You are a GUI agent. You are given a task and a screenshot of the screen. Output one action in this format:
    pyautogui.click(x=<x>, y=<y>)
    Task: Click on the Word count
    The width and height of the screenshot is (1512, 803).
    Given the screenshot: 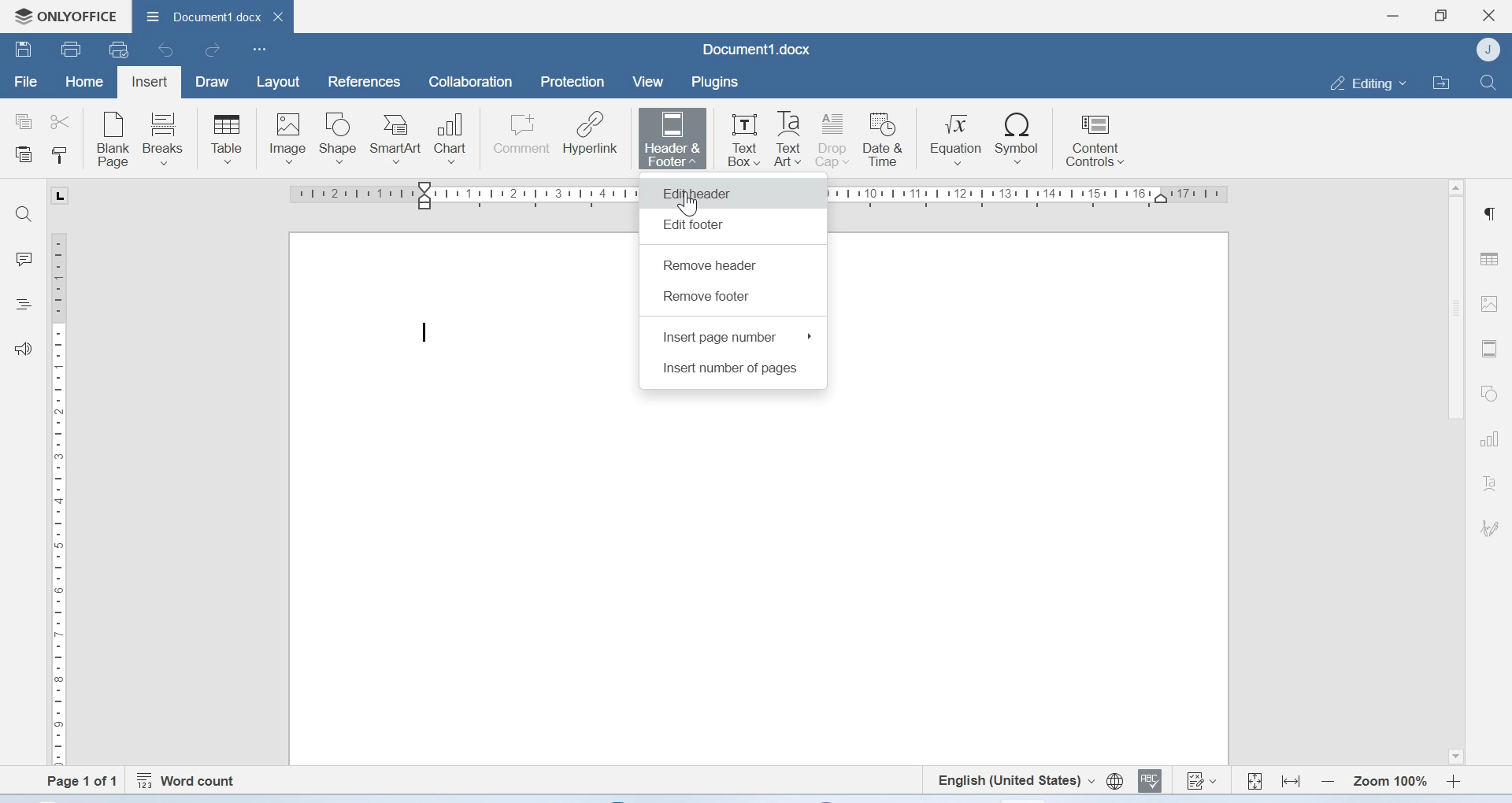 What is the action you would take?
    pyautogui.click(x=190, y=778)
    